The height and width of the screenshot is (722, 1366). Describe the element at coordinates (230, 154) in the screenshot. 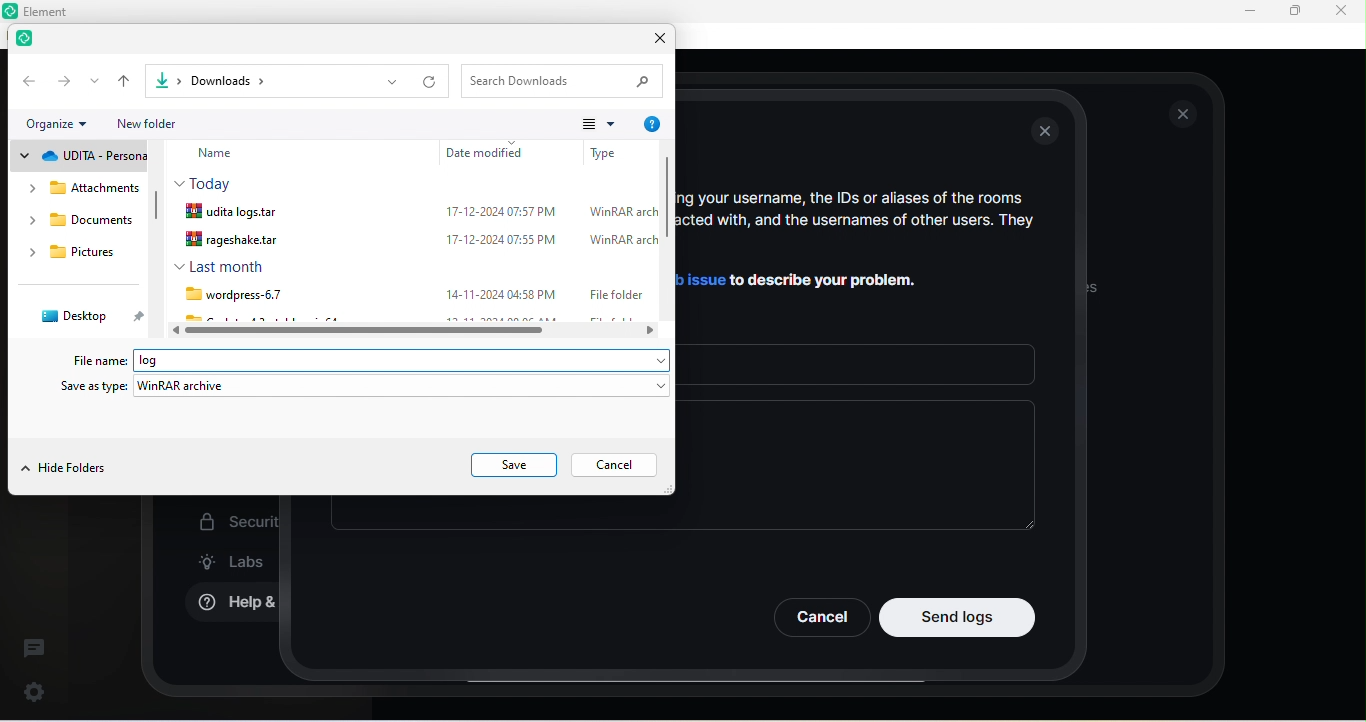

I see `name` at that location.